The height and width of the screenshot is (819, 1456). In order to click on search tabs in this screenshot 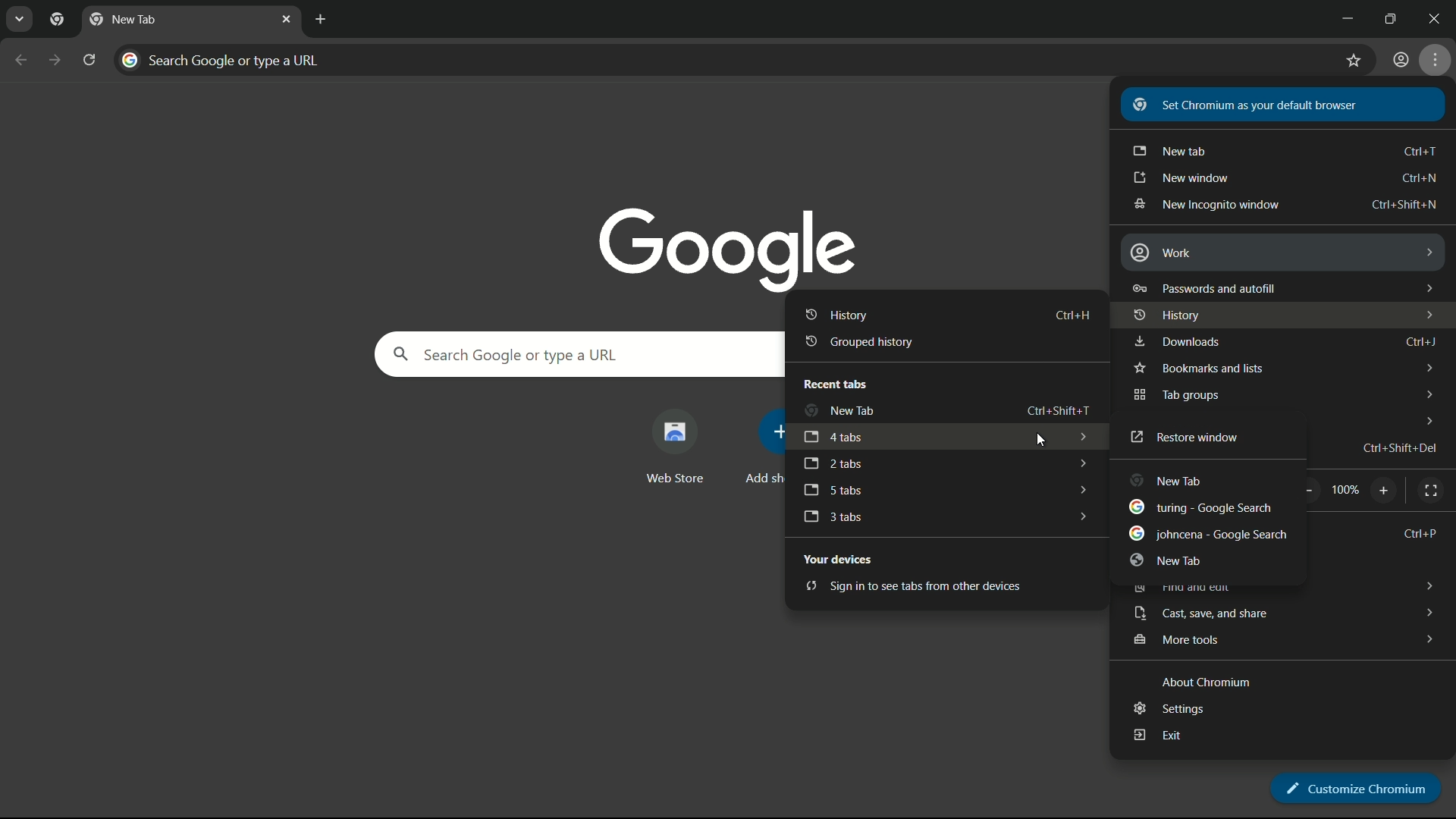, I will do `click(21, 19)`.